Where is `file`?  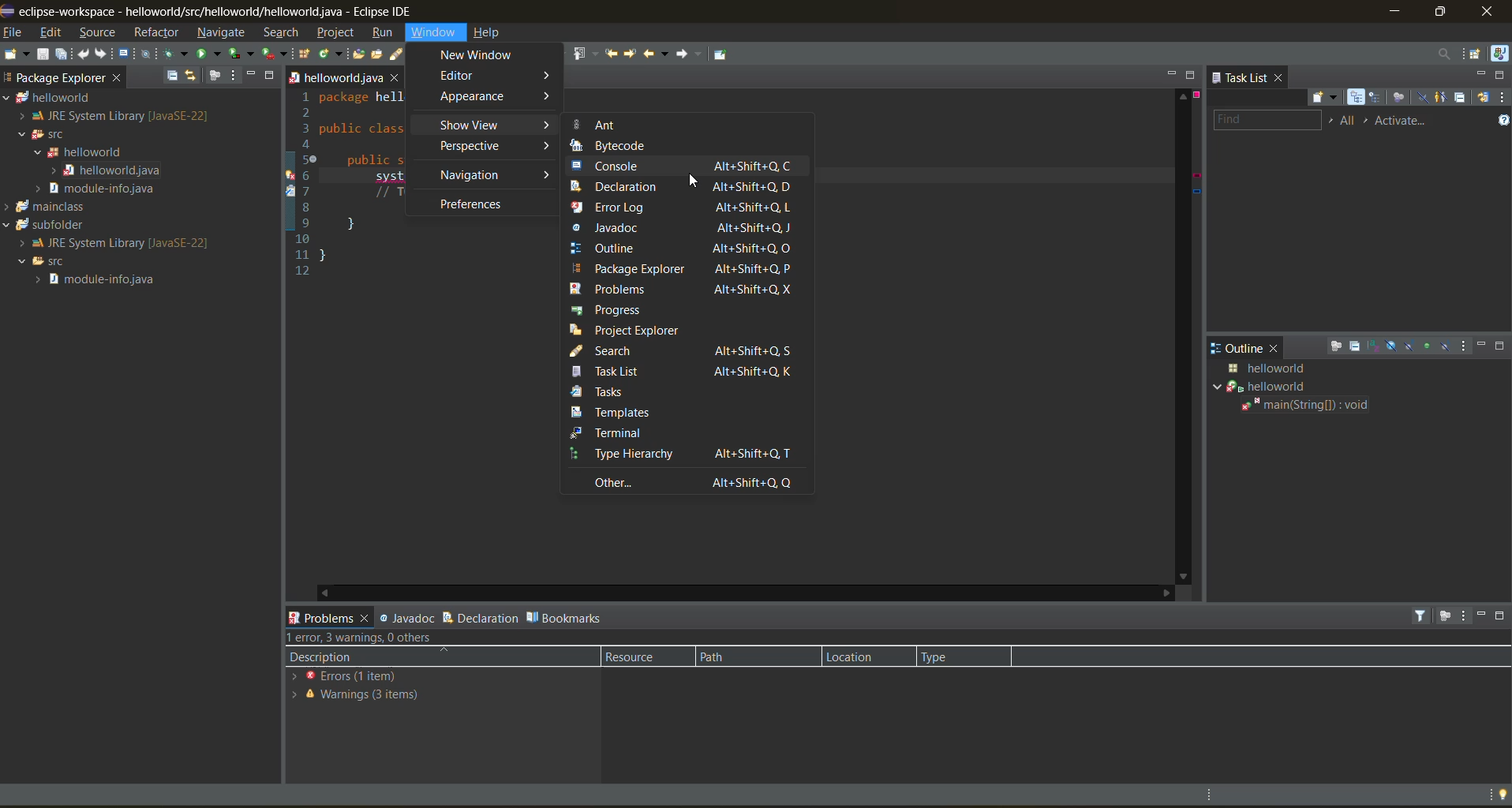
file is located at coordinates (14, 33).